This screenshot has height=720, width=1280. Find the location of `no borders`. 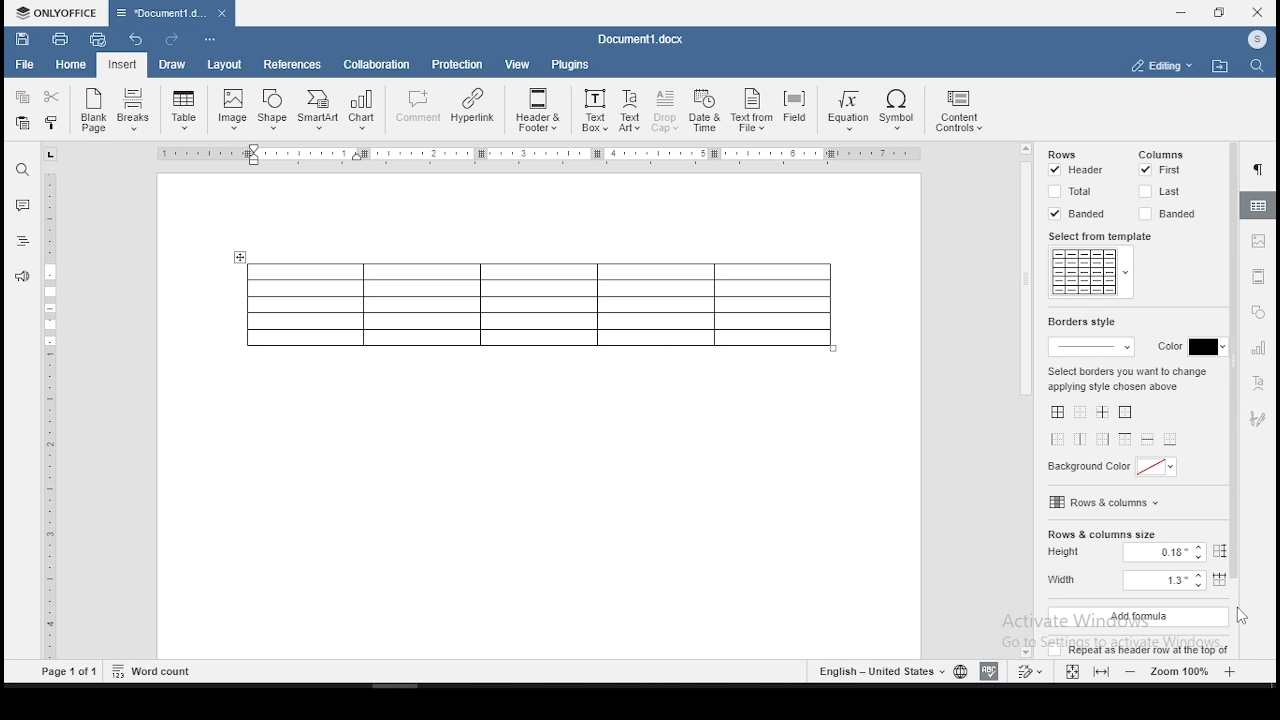

no borders is located at coordinates (1079, 411).